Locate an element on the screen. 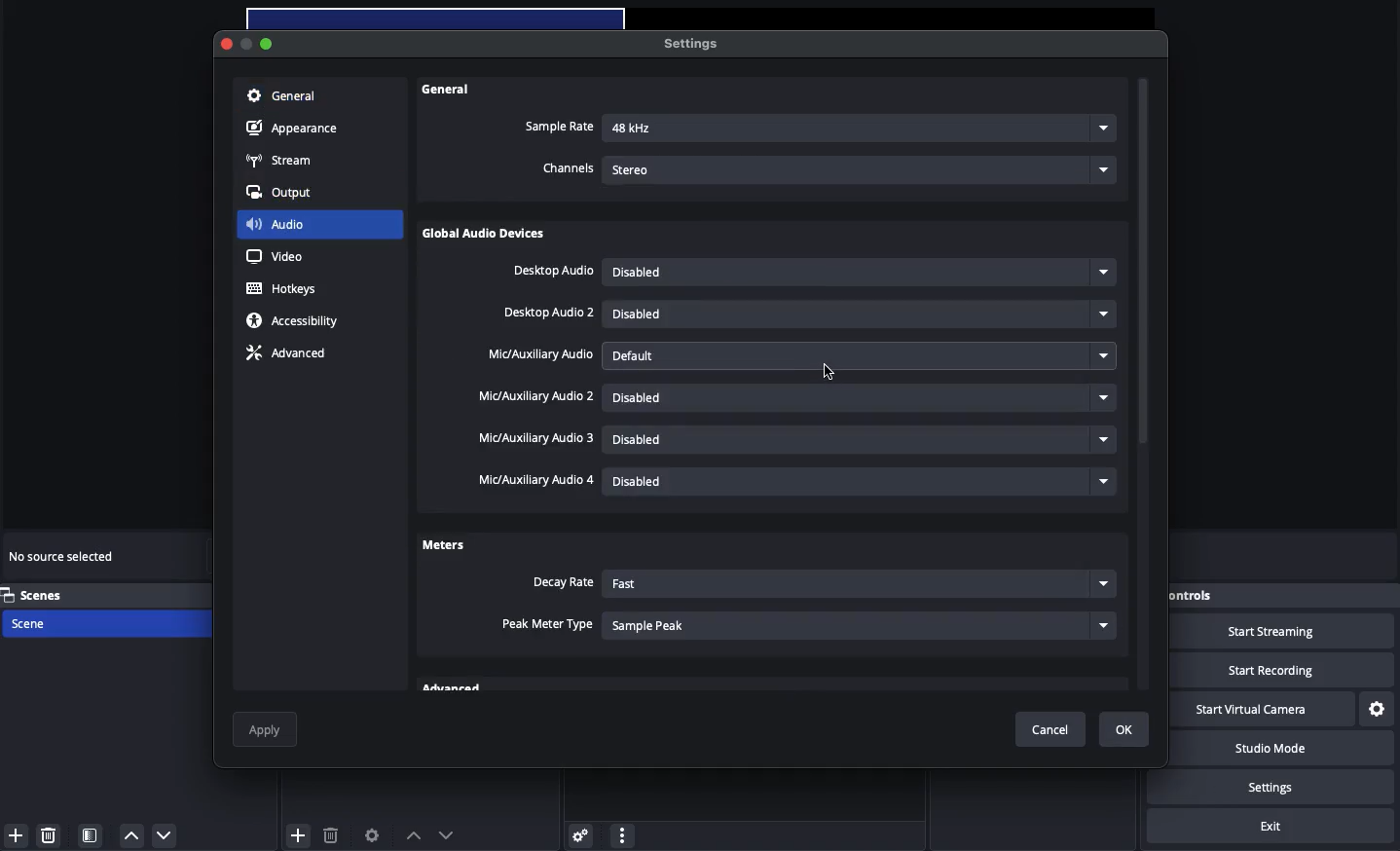  Advanced is located at coordinates (284, 355).